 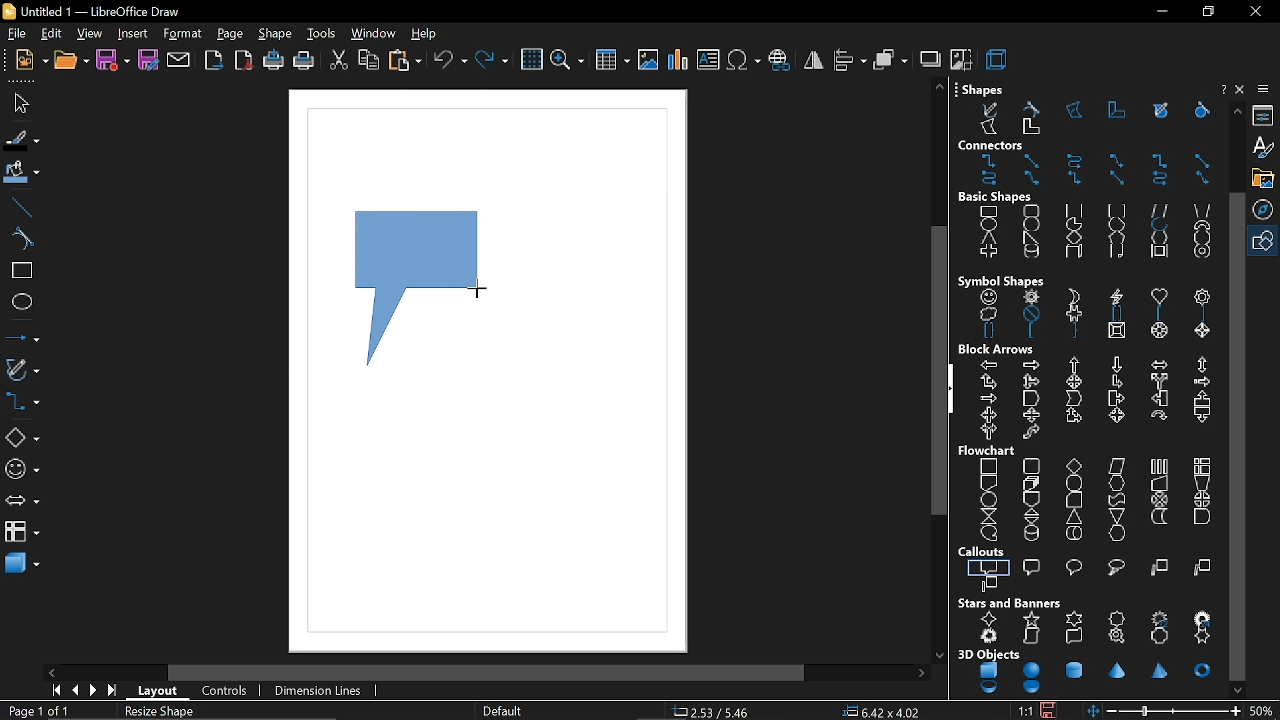 I want to click on cloud, so click(x=984, y=313).